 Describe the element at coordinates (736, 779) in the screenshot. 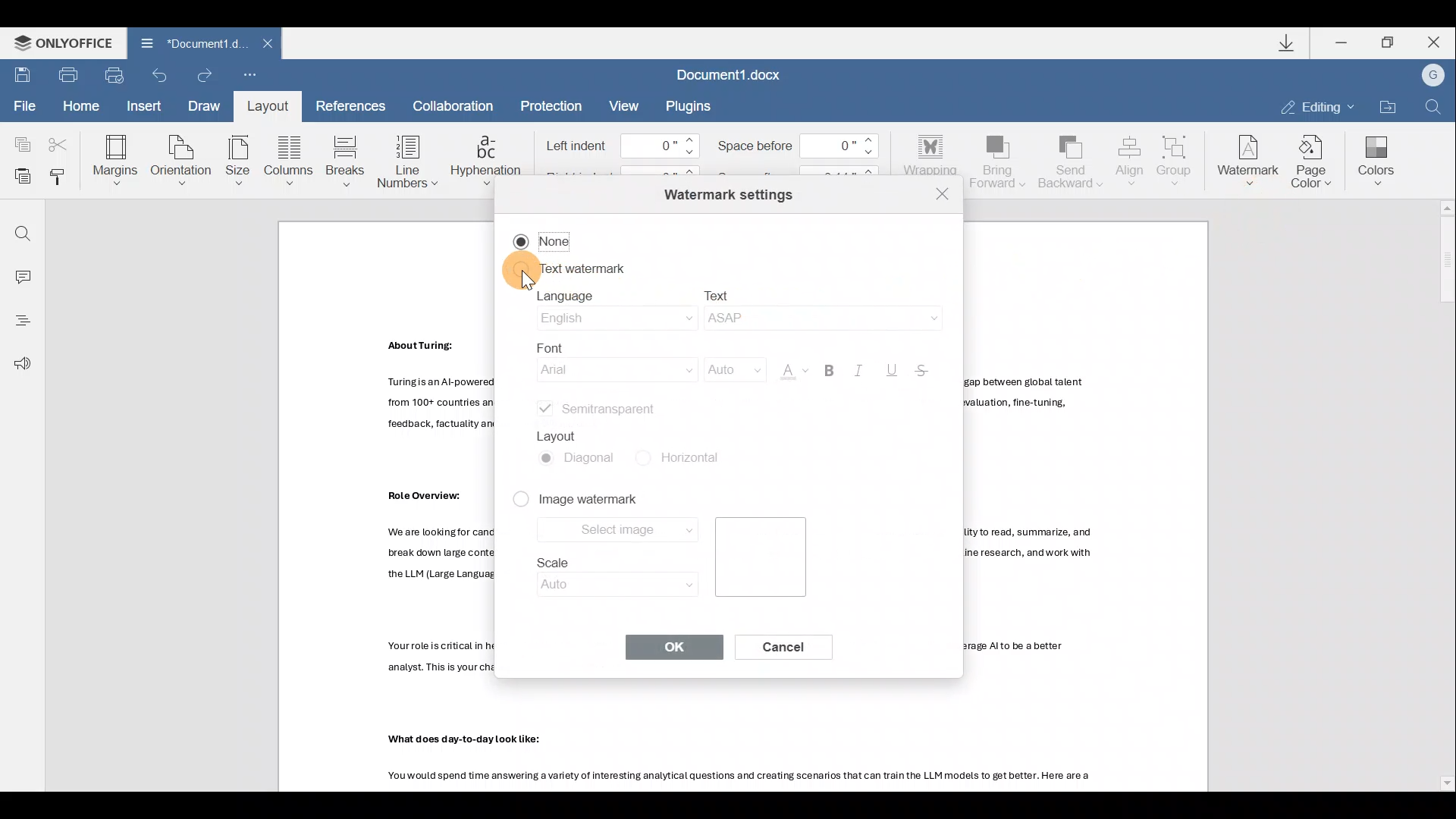

I see `` at that location.